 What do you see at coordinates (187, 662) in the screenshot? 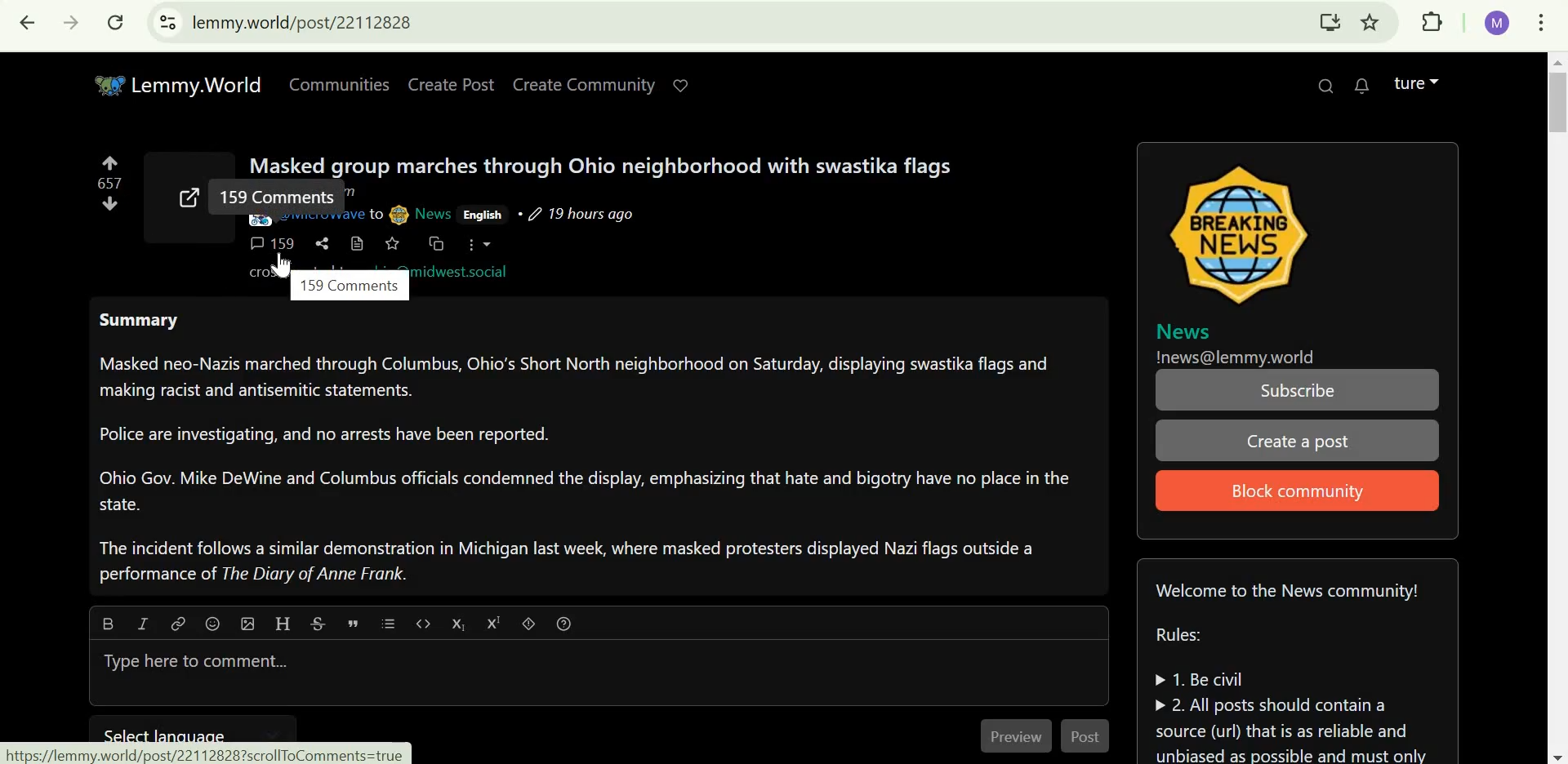
I see `Type here to comment...` at bounding box center [187, 662].